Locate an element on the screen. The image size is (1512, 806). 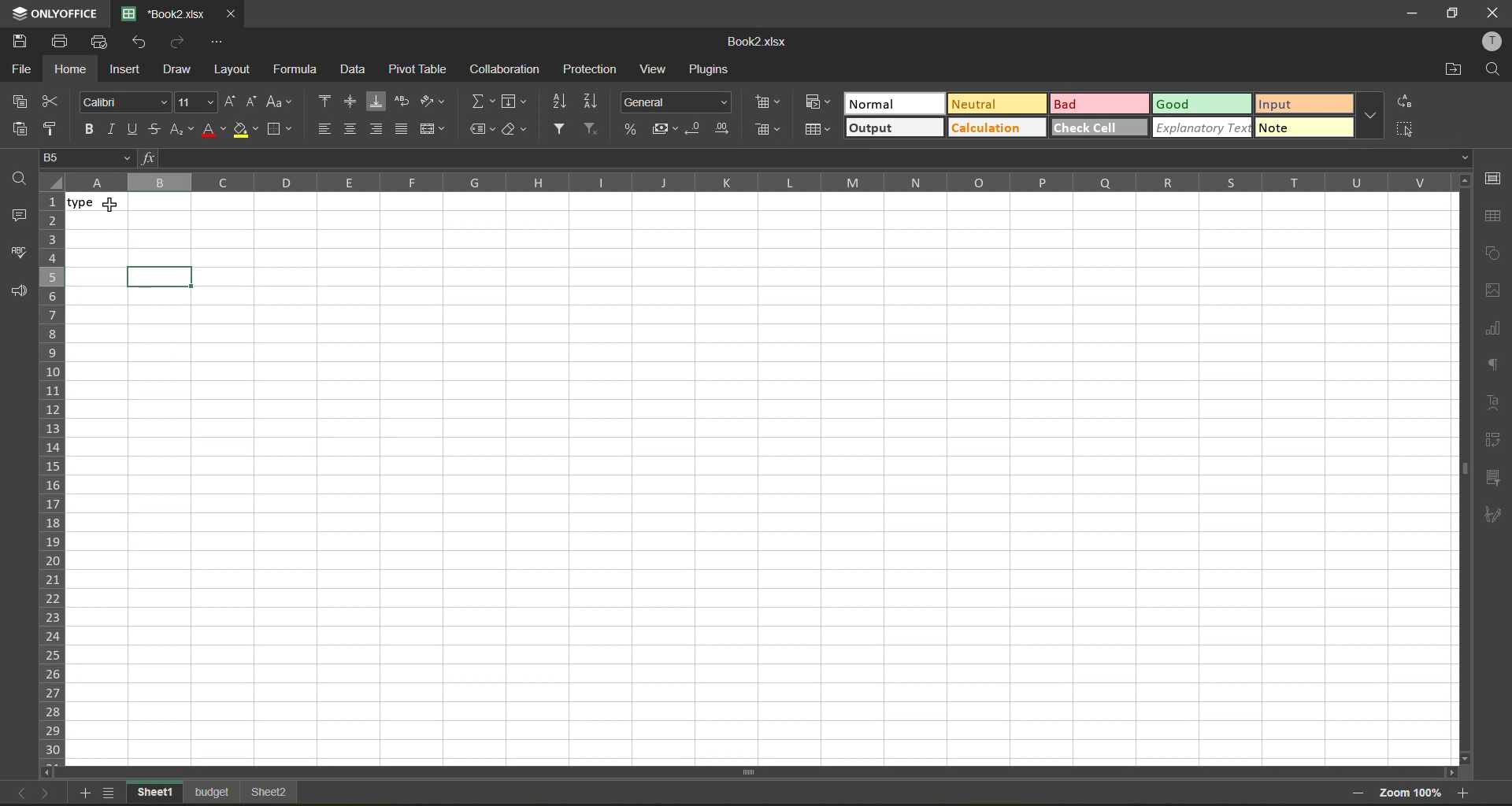
slicer is located at coordinates (1493, 479).